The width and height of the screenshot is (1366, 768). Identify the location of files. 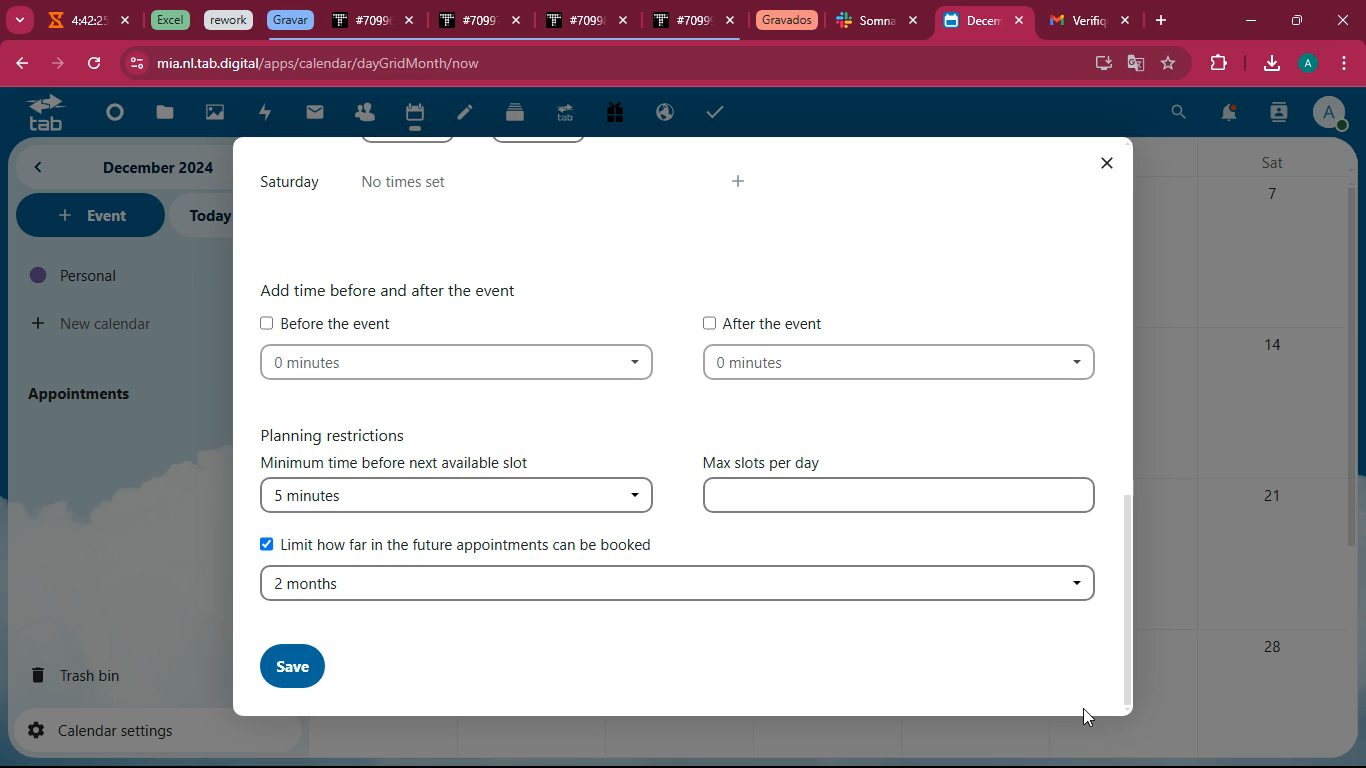
(517, 112).